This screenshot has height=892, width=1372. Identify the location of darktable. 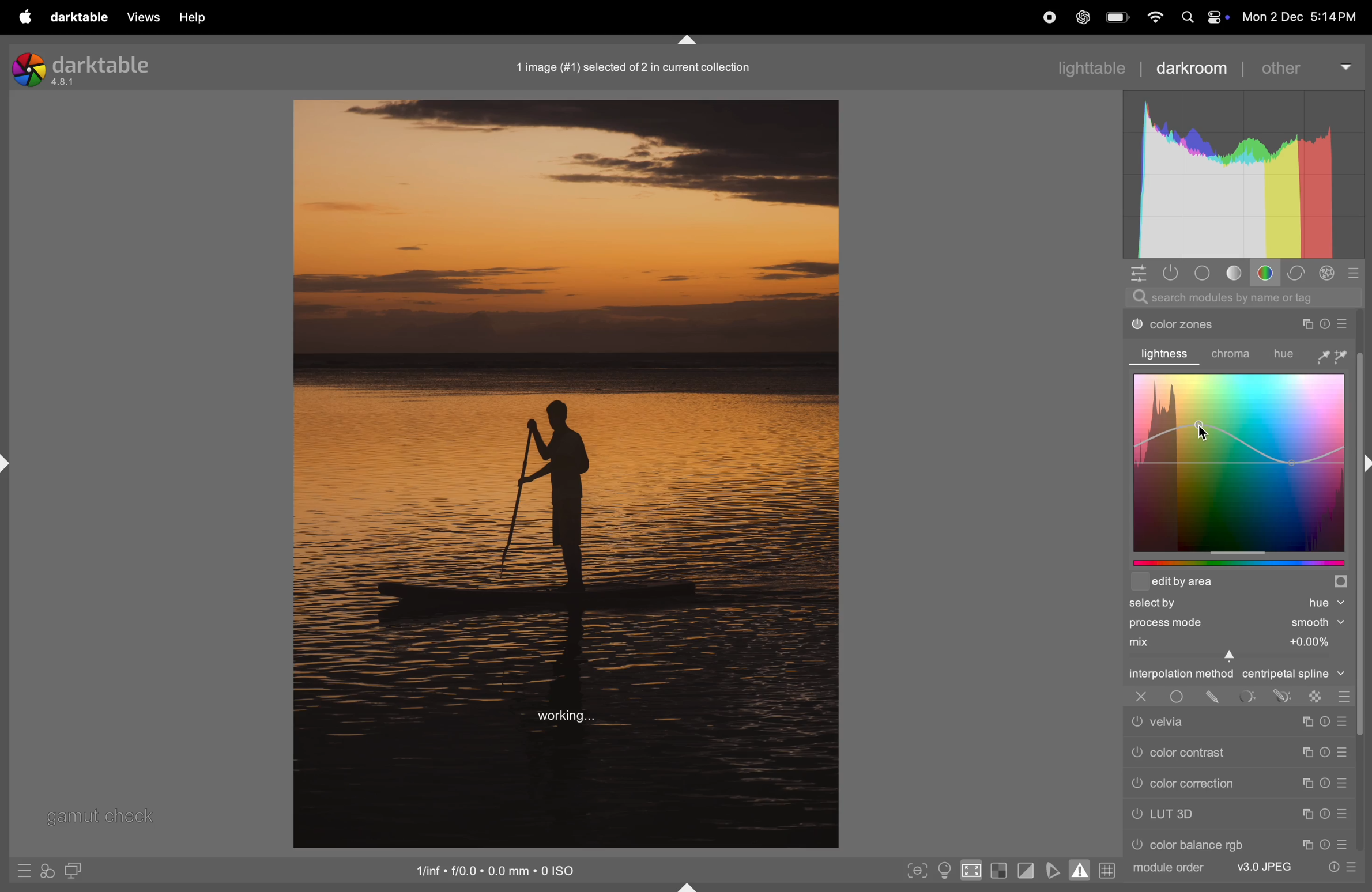
(84, 20).